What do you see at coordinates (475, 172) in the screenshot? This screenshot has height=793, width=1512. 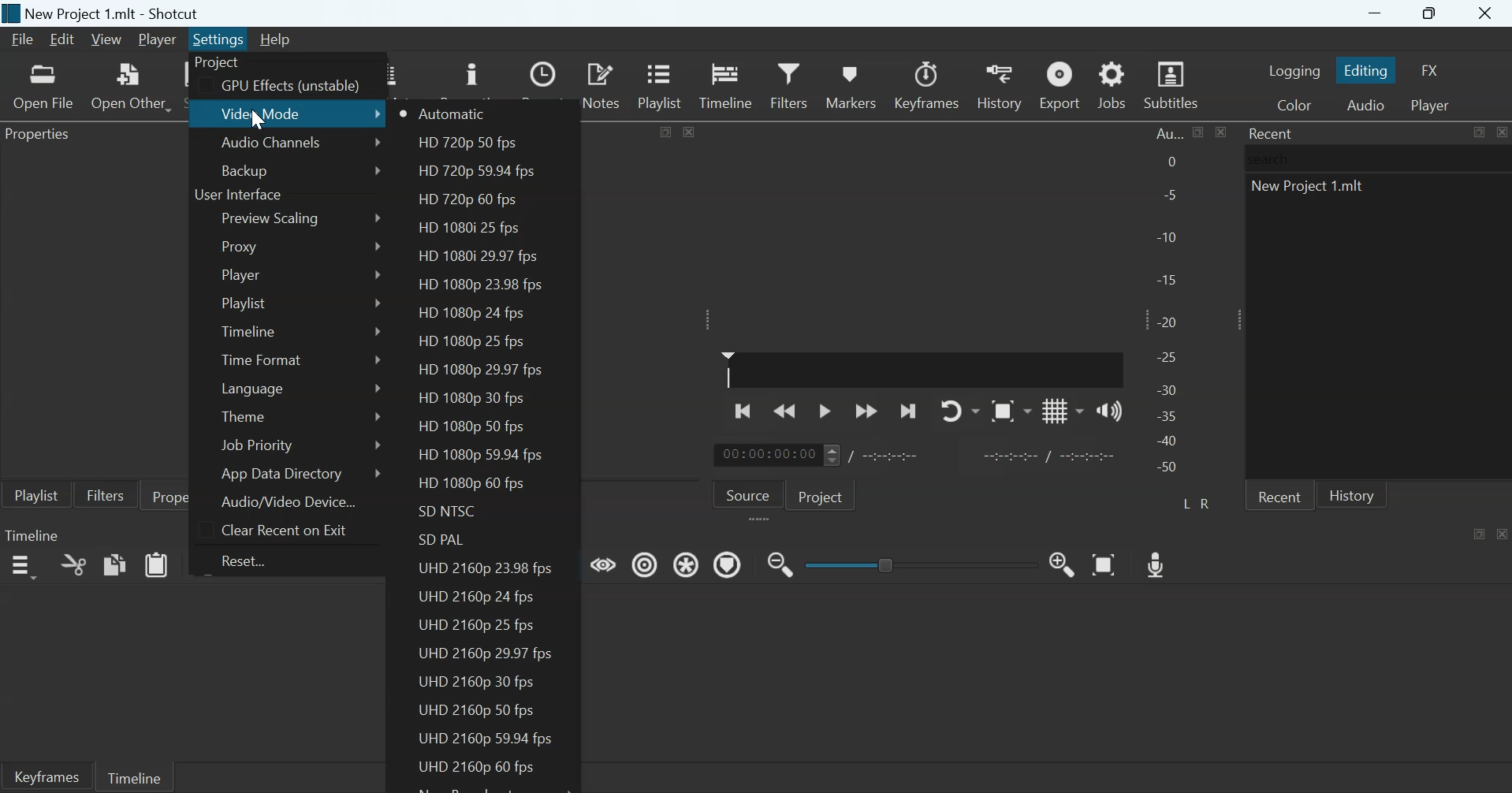 I see `HD 720p 59.94 fps` at bounding box center [475, 172].